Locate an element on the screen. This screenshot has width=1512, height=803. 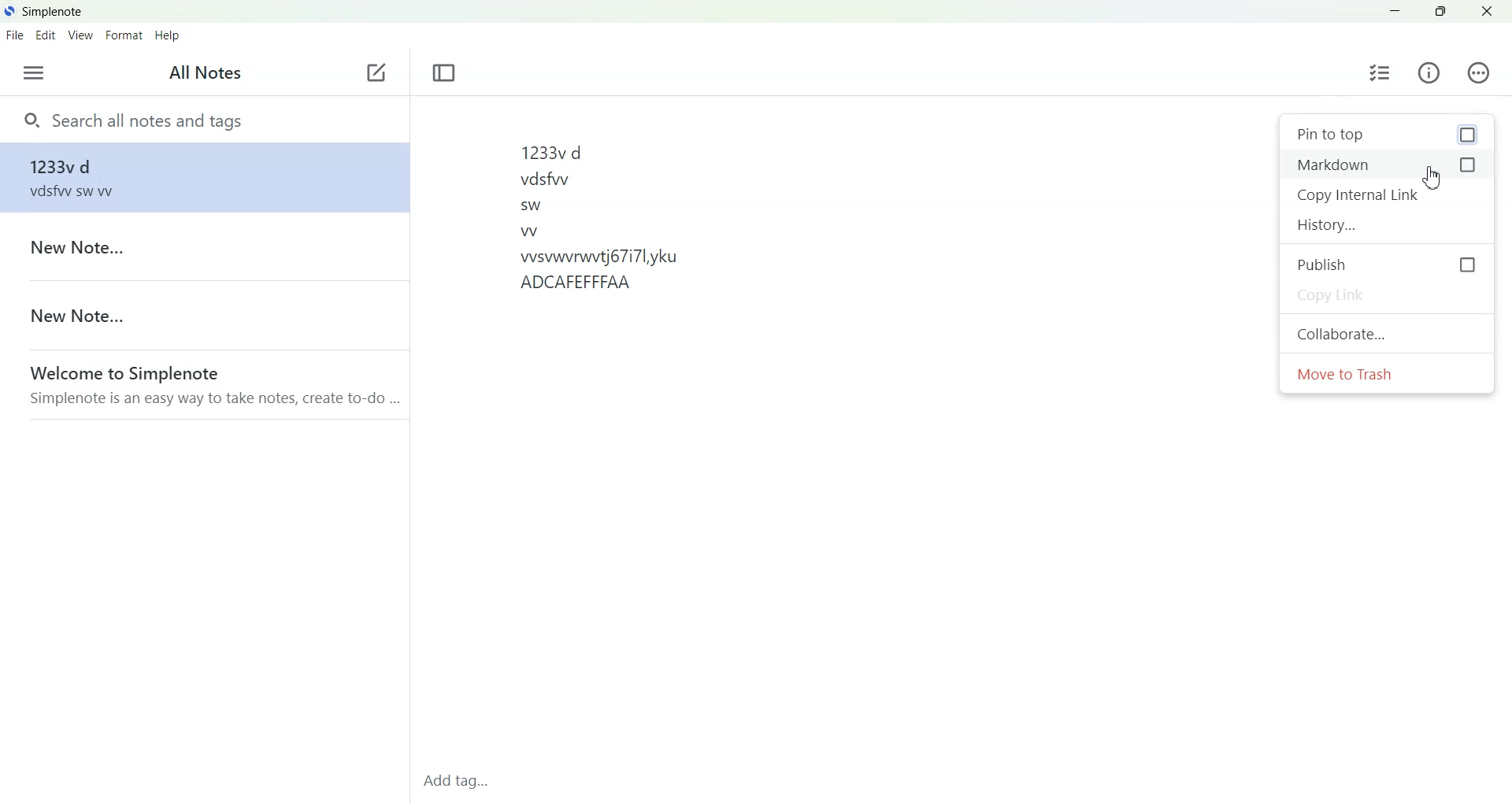
Note File - Welcome to Simplenote is located at coordinates (203, 384).